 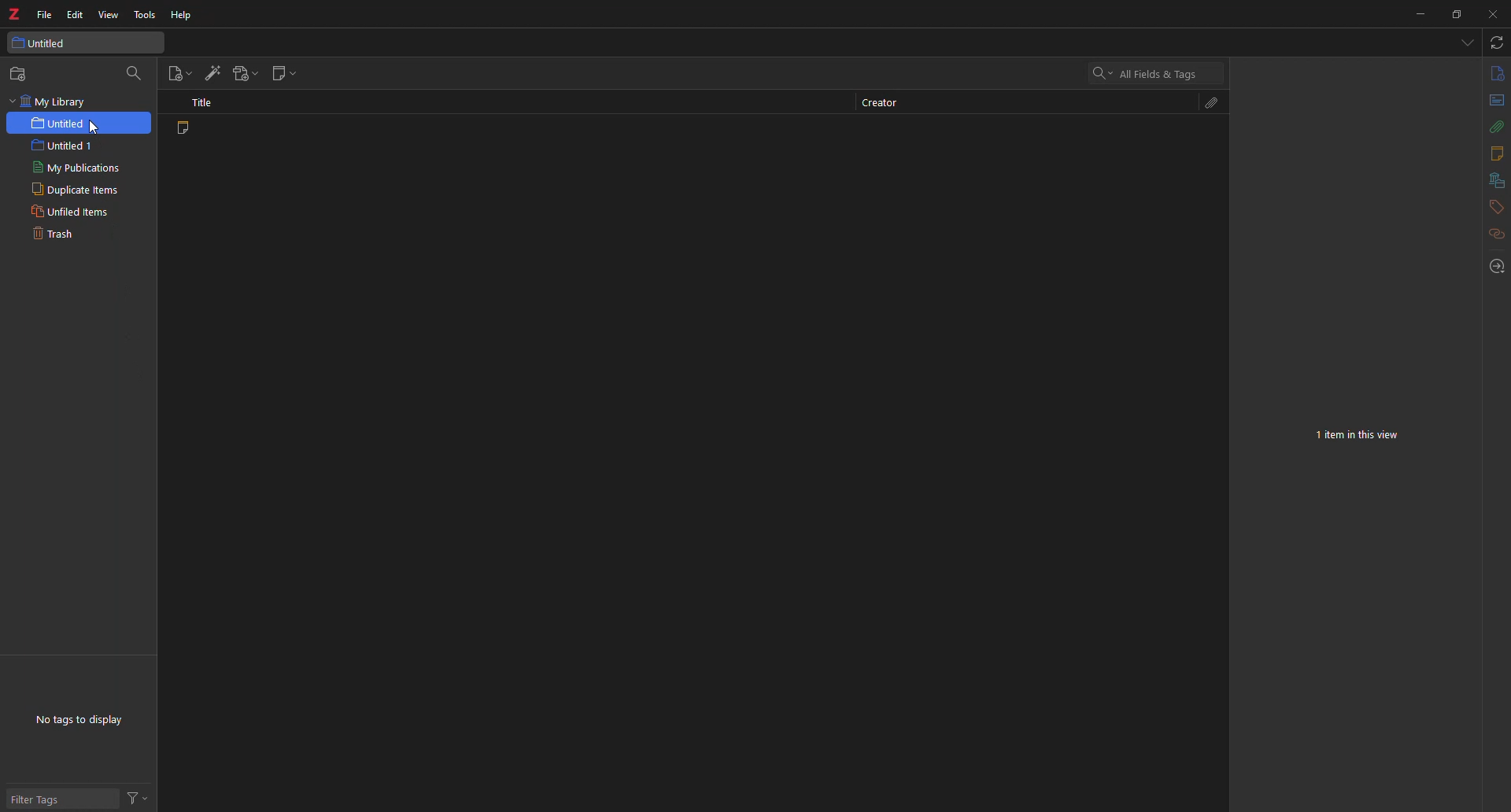 What do you see at coordinates (247, 73) in the screenshot?
I see `add attach` at bounding box center [247, 73].